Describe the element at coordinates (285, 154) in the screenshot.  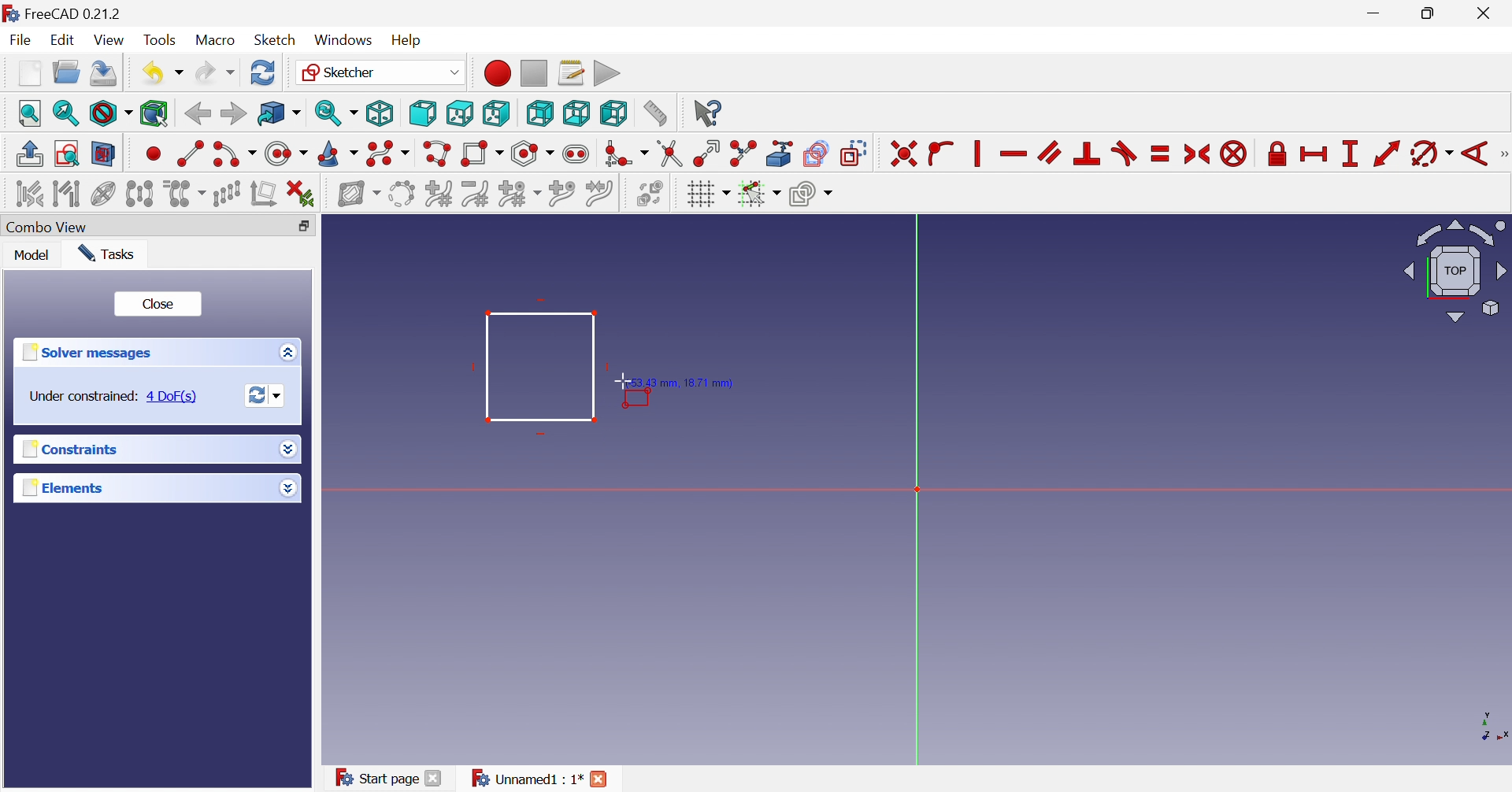
I see `Create circle` at that location.